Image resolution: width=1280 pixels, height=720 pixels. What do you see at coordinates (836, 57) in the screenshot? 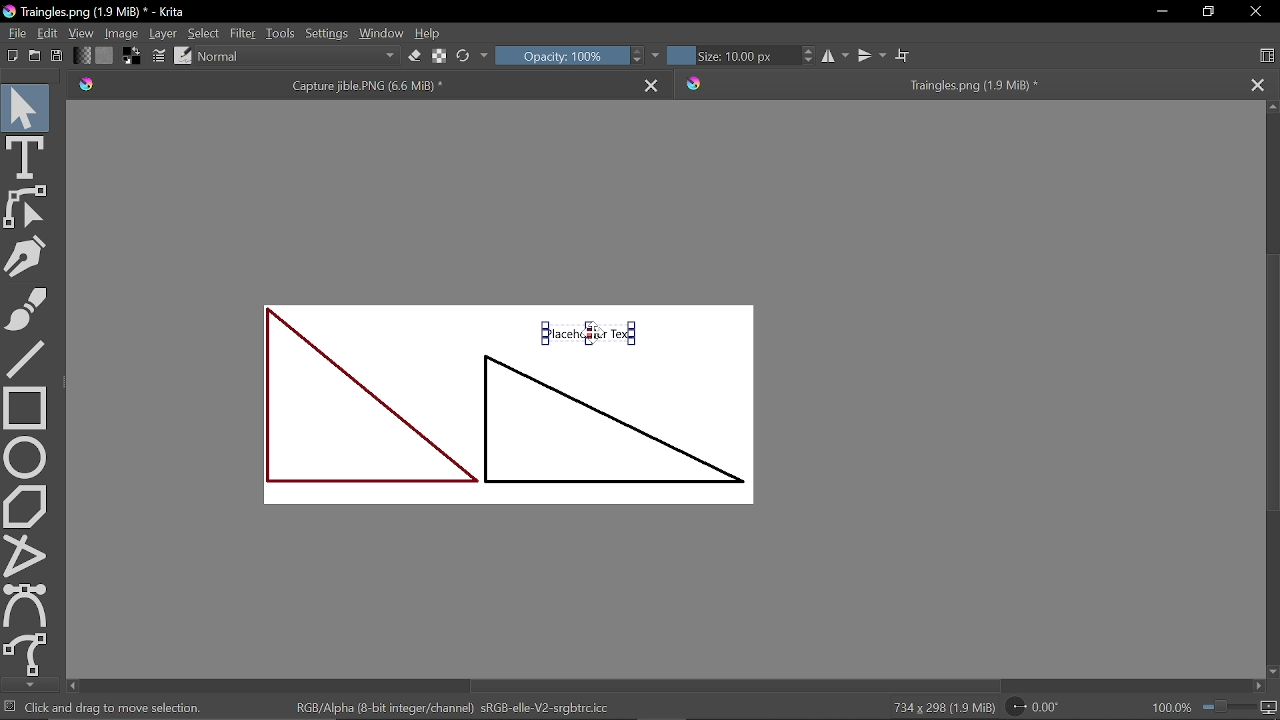
I see `Horizontal mirror` at bounding box center [836, 57].